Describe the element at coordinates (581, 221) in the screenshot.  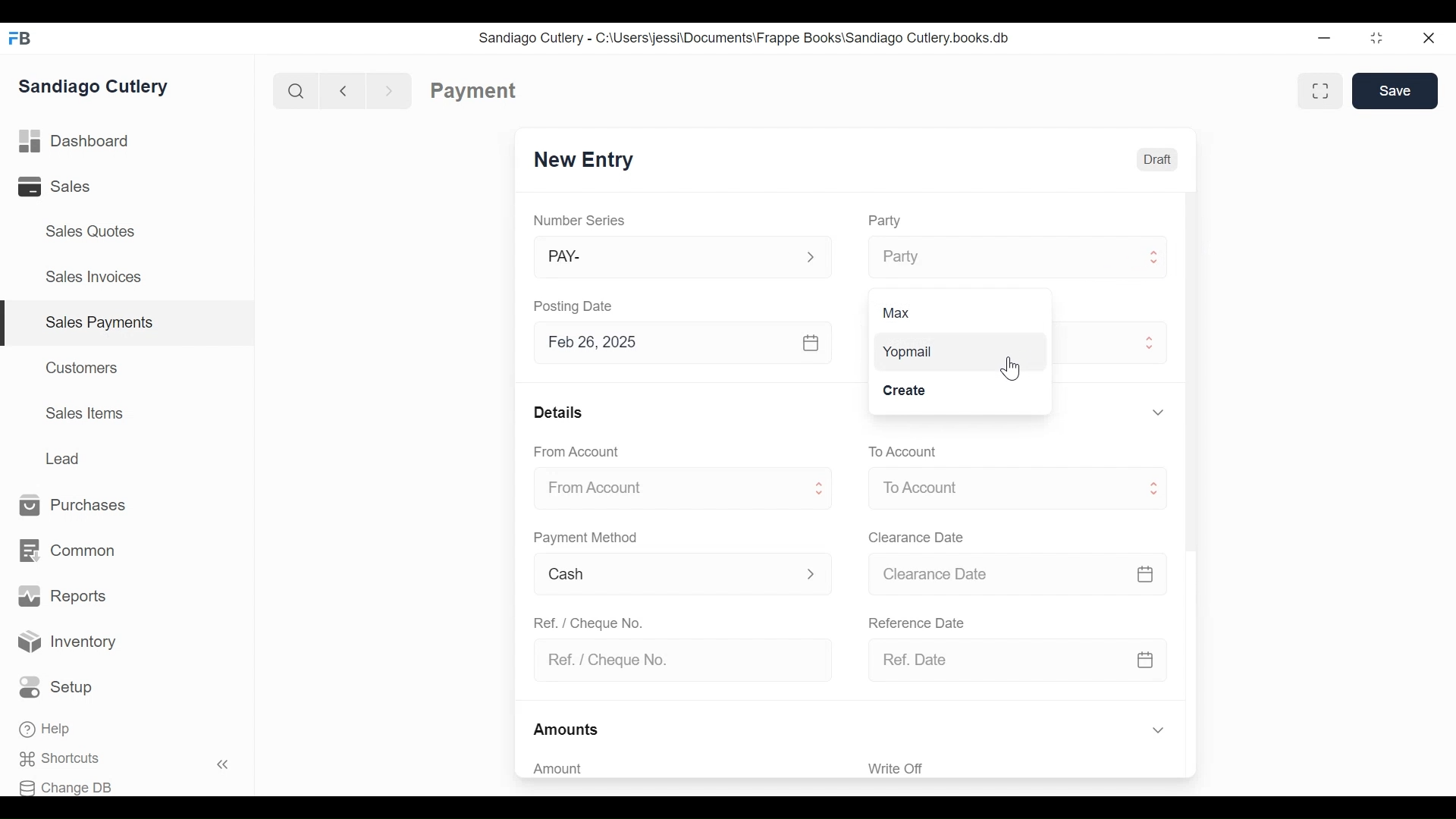
I see `Number Series` at that location.